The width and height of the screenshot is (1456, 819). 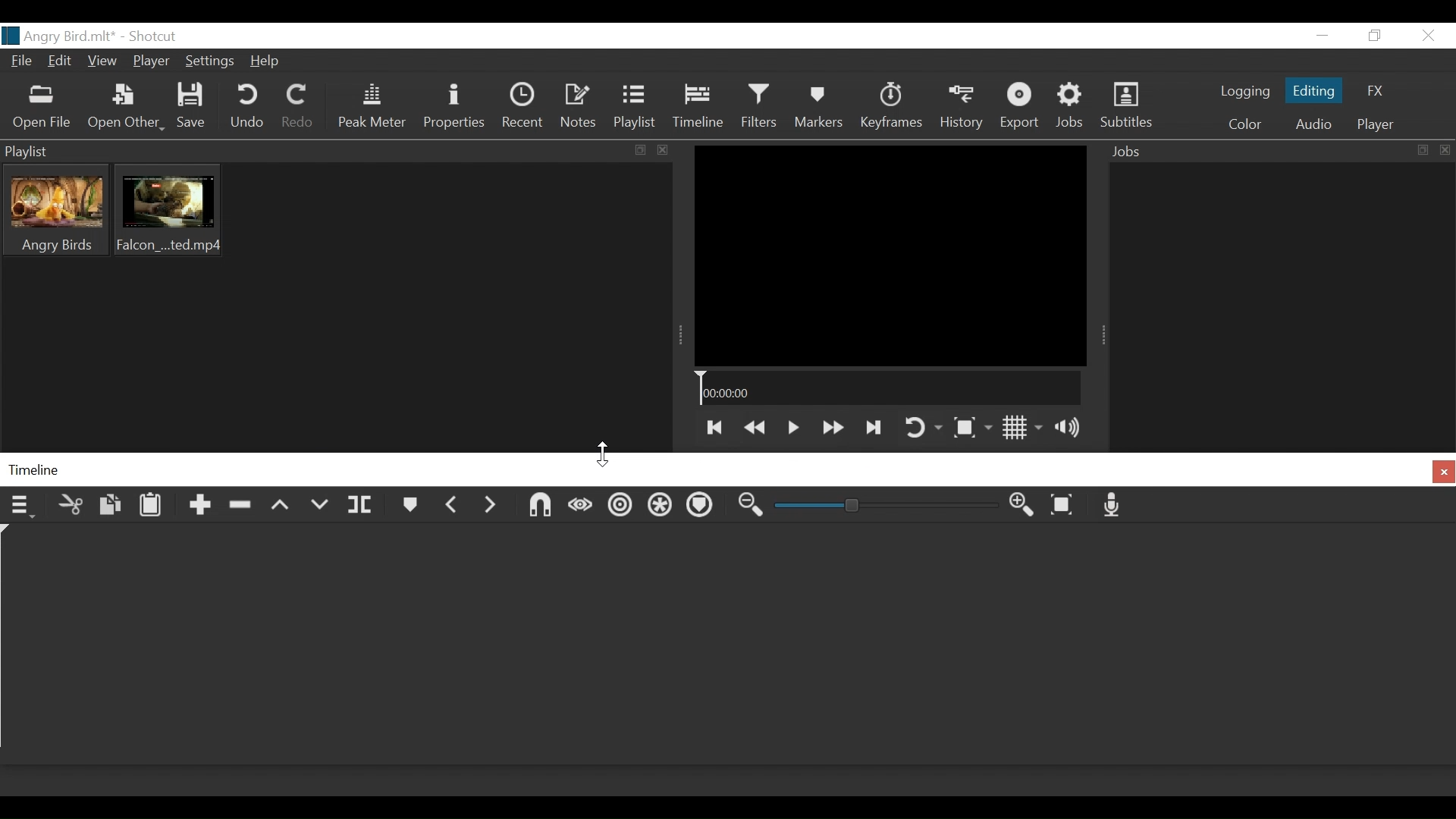 What do you see at coordinates (1313, 89) in the screenshot?
I see `Editing` at bounding box center [1313, 89].